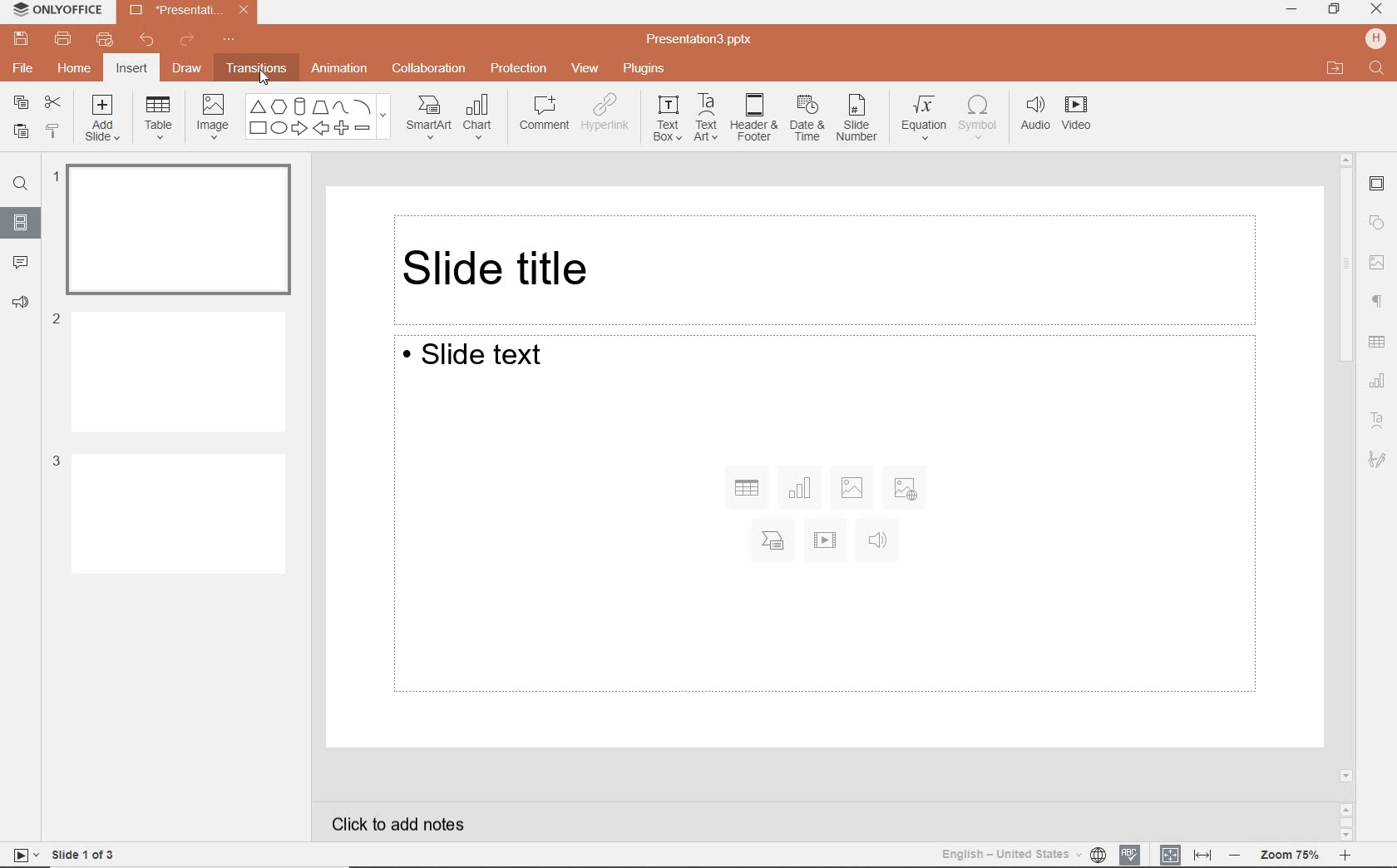 The image size is (1397, 868). I want to click on draw, so click(188, 70).